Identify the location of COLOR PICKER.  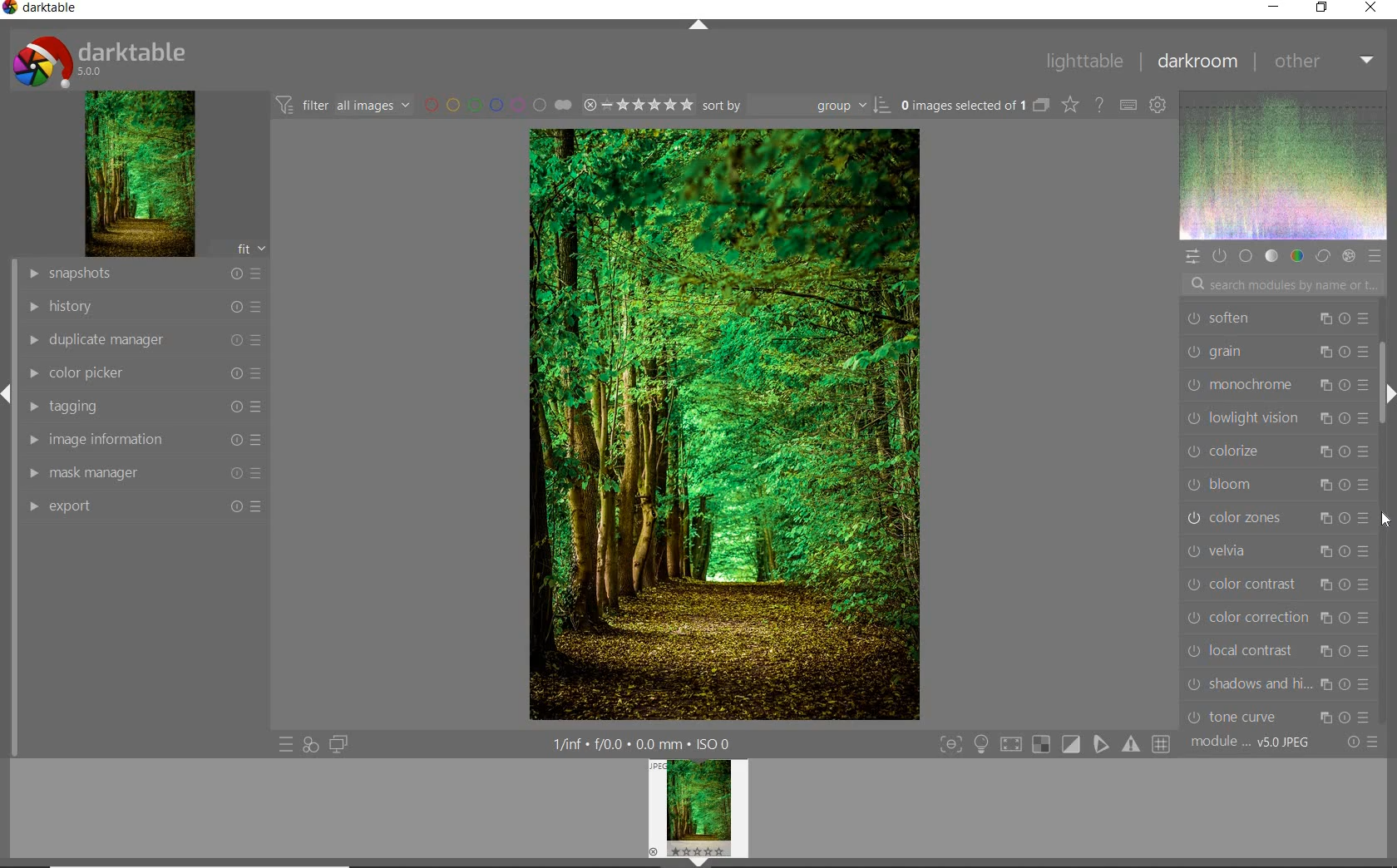
(141, 373).